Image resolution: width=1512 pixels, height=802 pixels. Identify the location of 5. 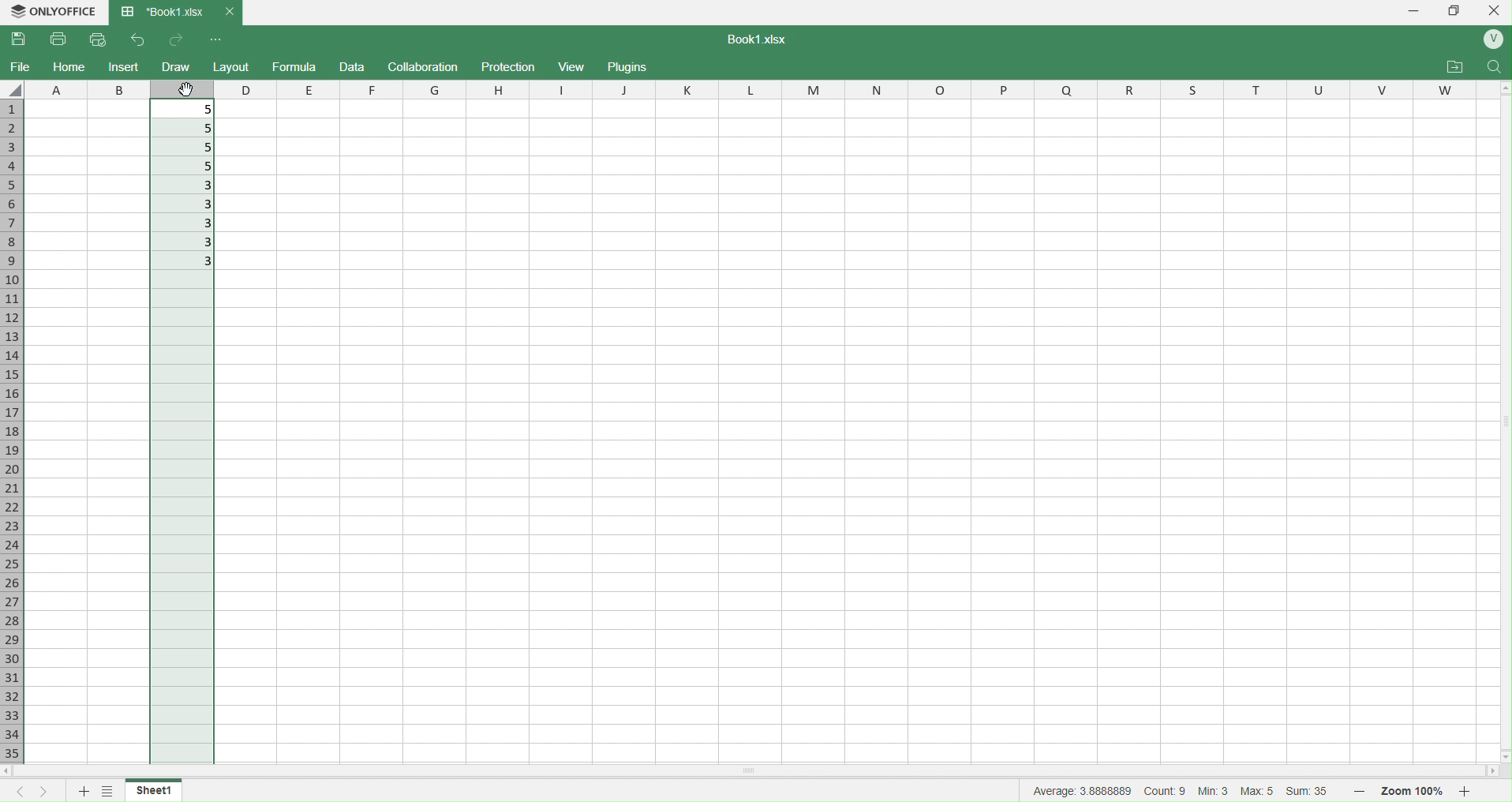
(185, 126).